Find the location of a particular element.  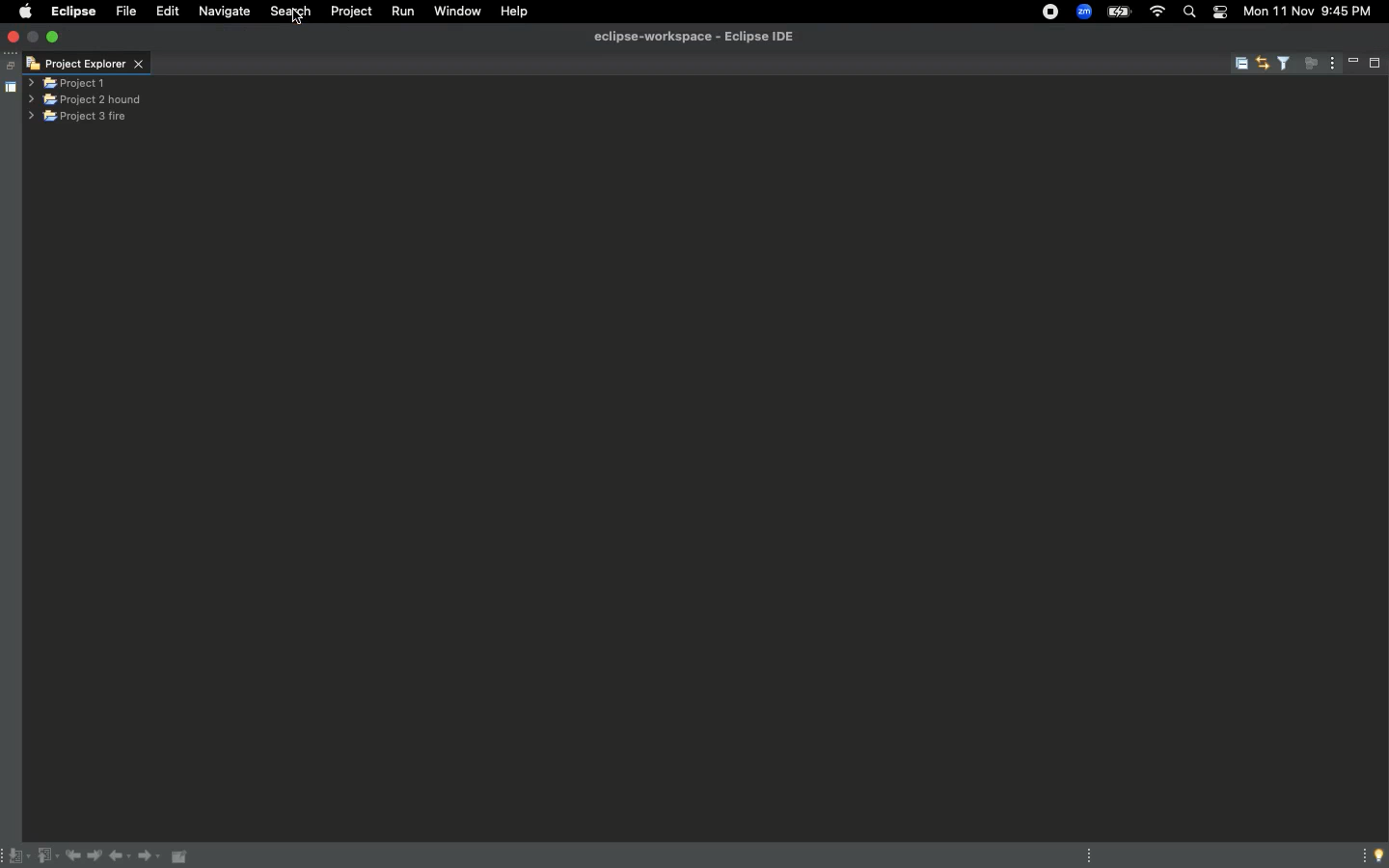

Eclipse is located at coordinates (72, 11).